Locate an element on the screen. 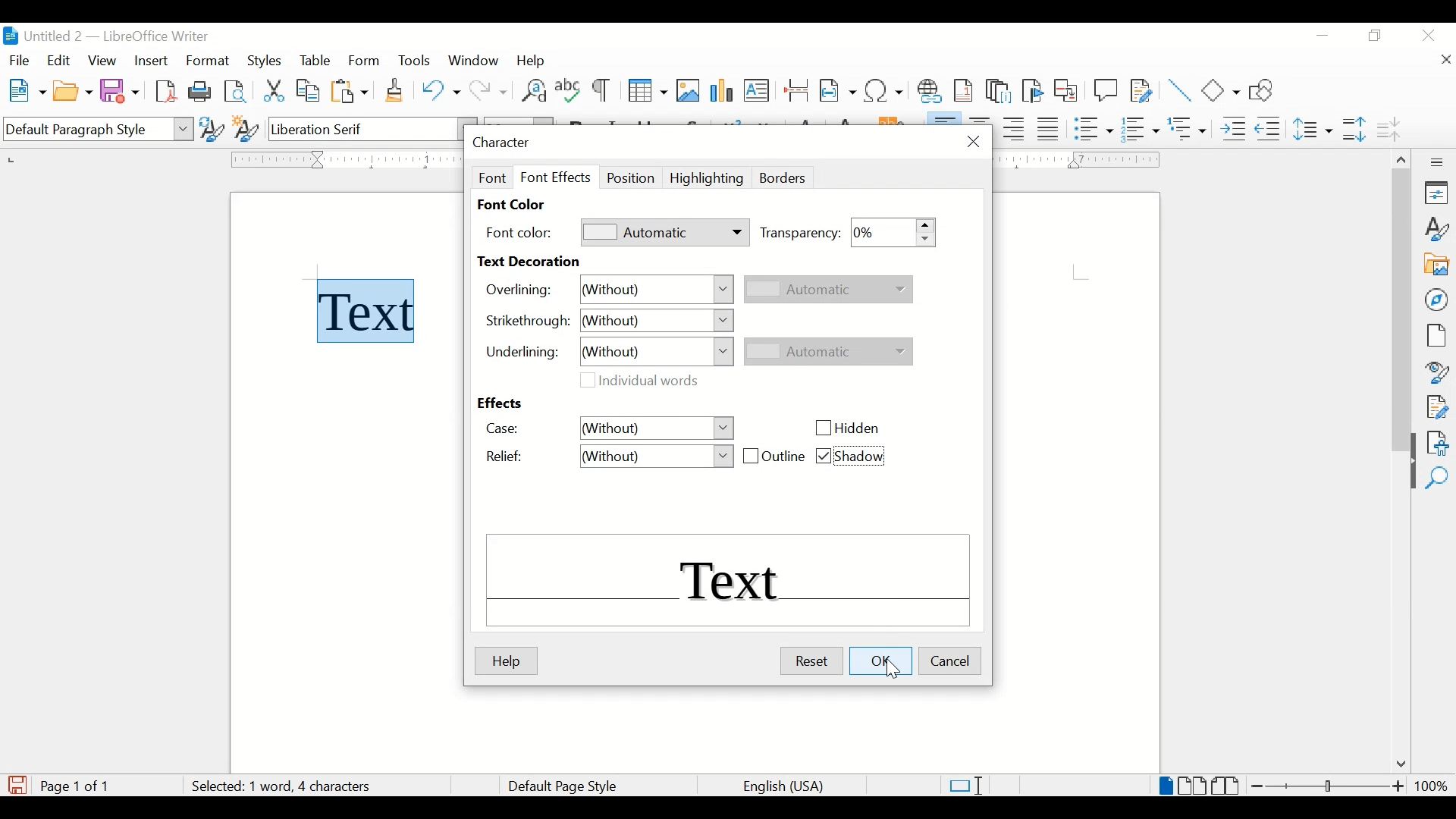 The width and height of the screenshot is (1456, 819). text is located at coordinates (727, 581).